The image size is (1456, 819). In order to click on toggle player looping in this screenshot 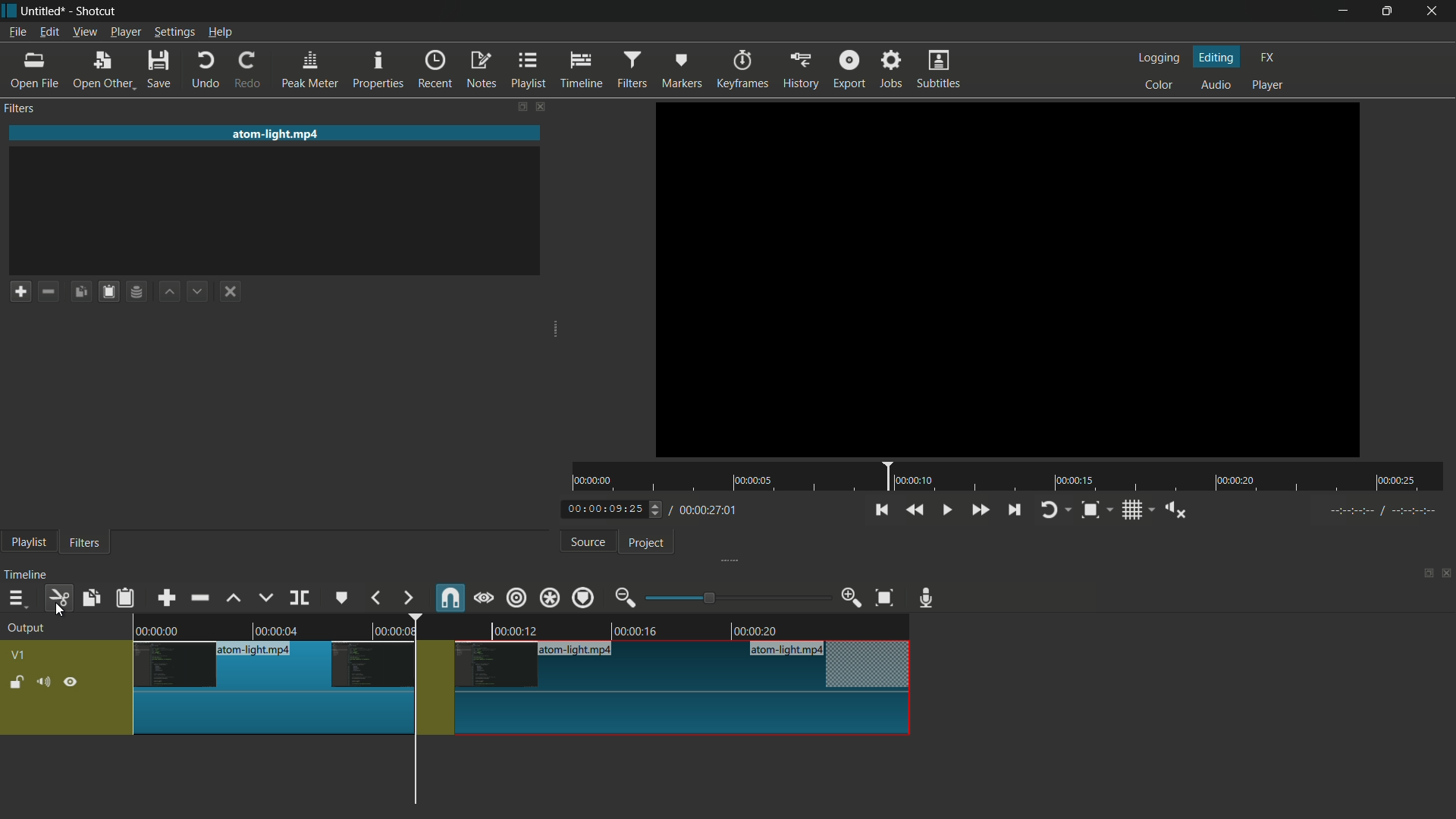, I will do `click(1056, 510)`.